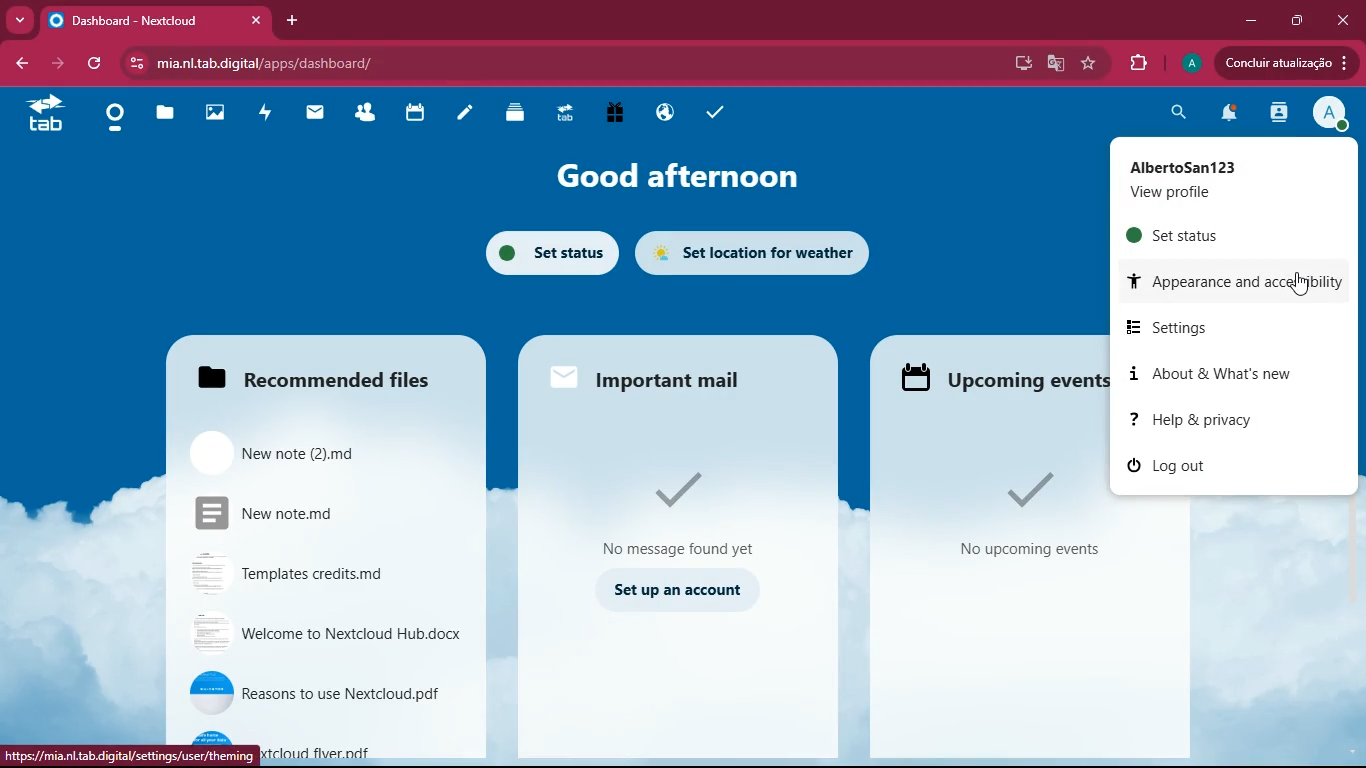 This screenshot has width=1366, height=768. Describe the element at coordinates (61, 64) in the screenshot. I see `forward` at that location.